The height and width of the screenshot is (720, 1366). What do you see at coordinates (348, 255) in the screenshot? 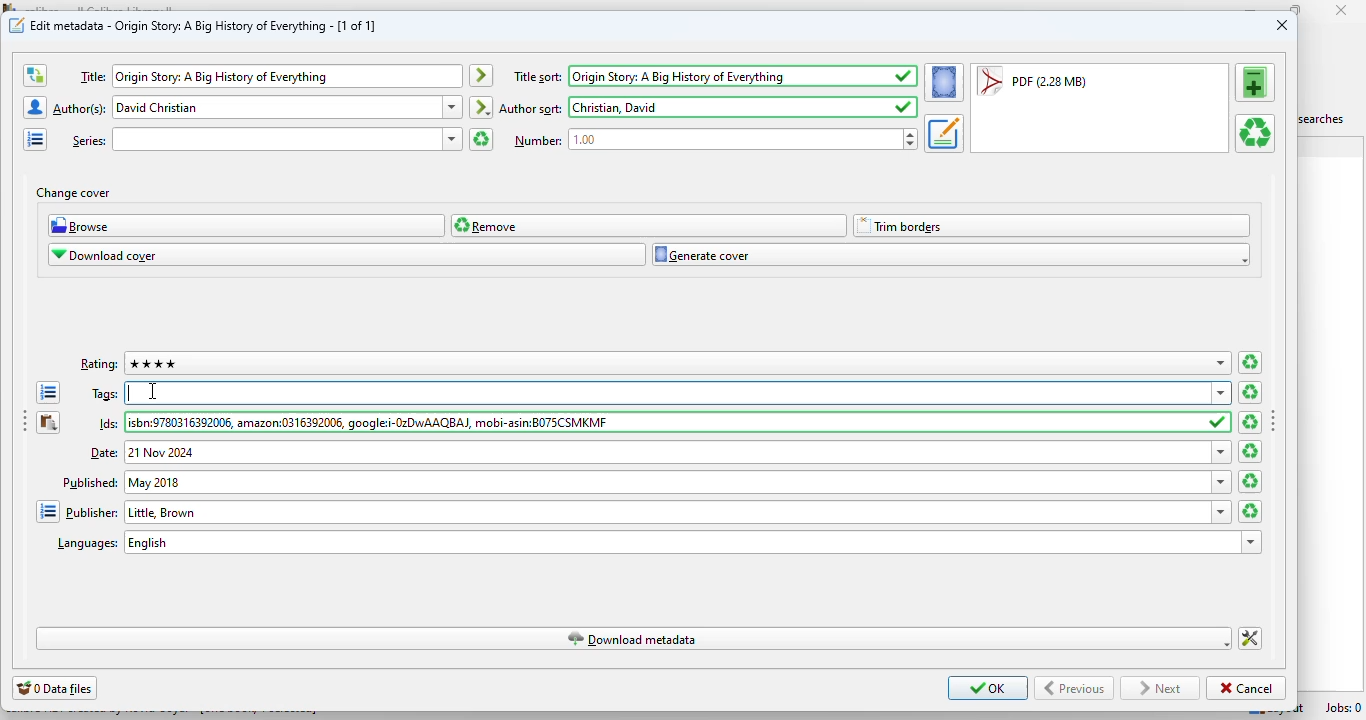
I see `download cover` at bounding box center [348, 255].